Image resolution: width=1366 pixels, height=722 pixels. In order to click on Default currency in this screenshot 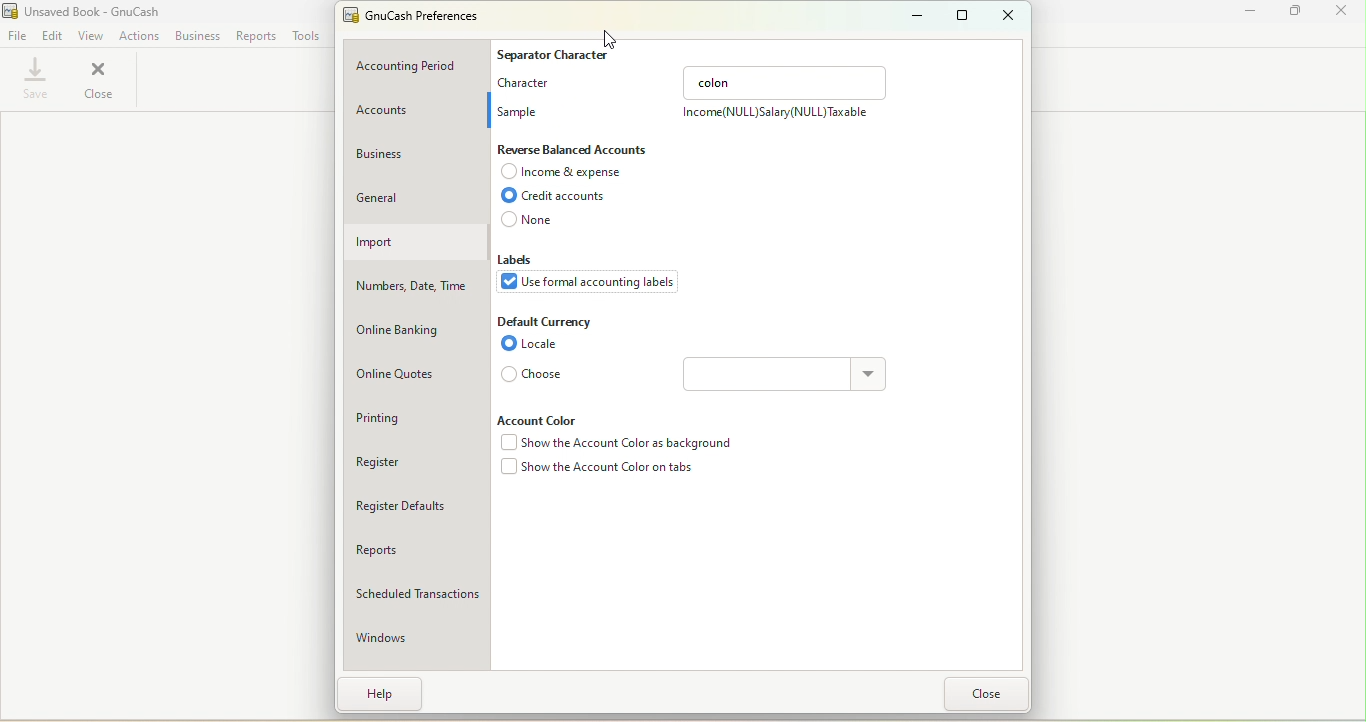, I will do `click(547, 321)`.